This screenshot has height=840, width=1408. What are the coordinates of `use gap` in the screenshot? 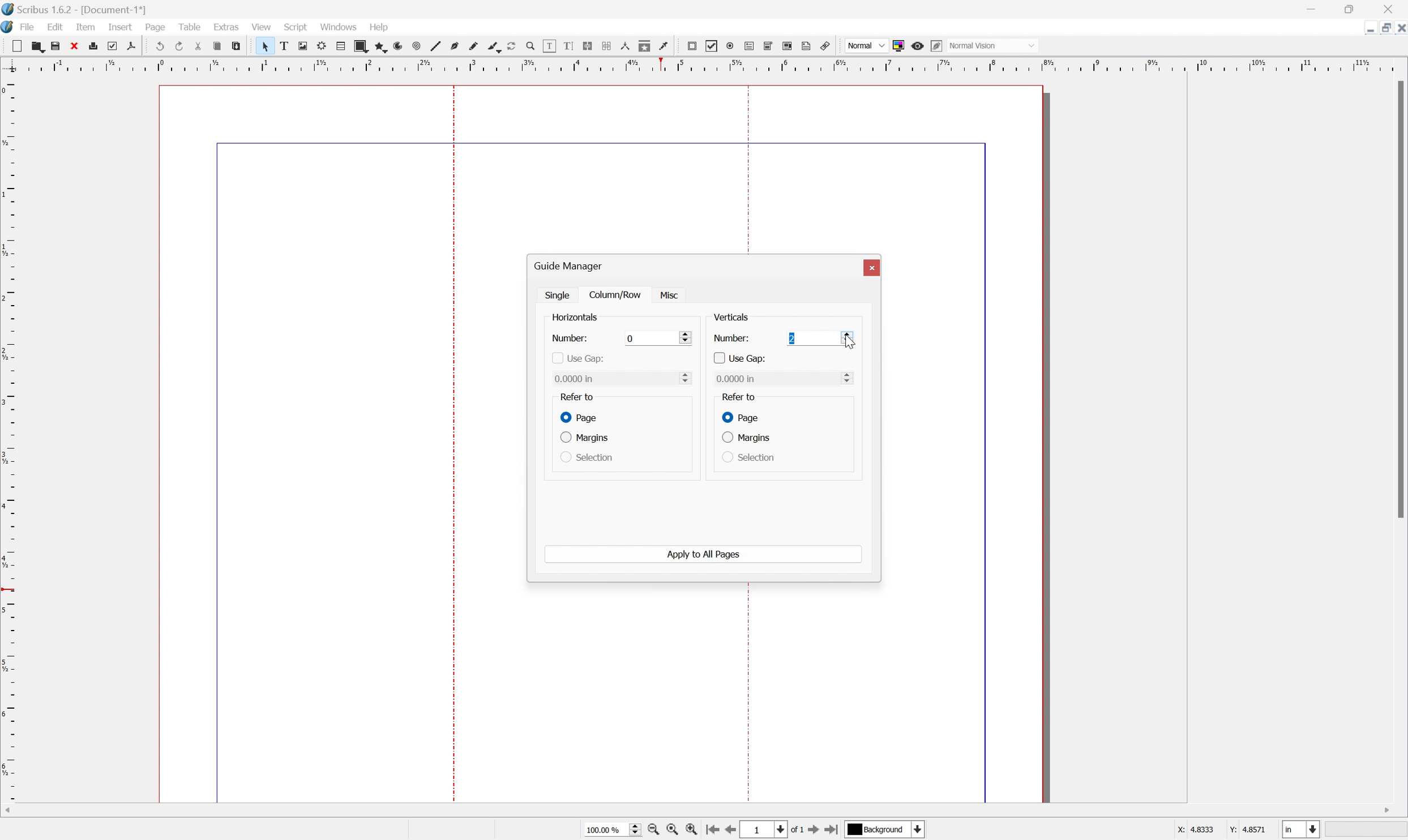 It's located at (739, 358).